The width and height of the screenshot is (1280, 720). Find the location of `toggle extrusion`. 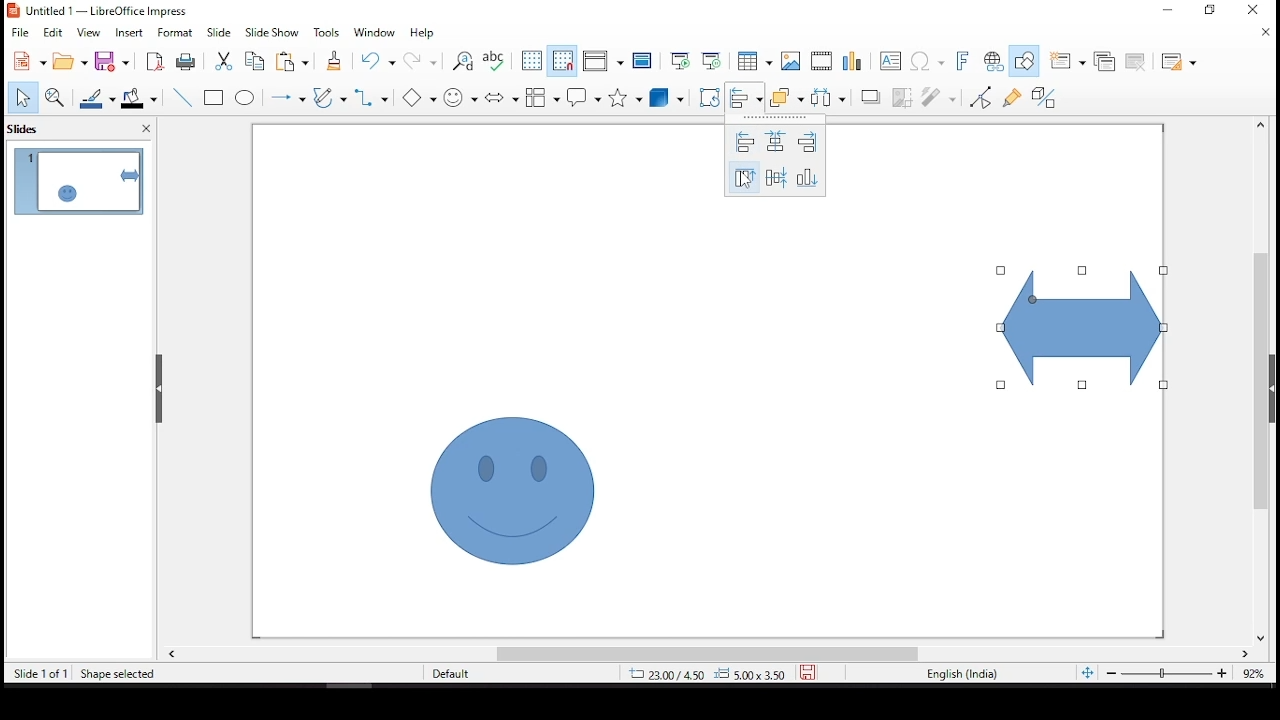

toggle extrusion is located at coordinates (1043, 99).